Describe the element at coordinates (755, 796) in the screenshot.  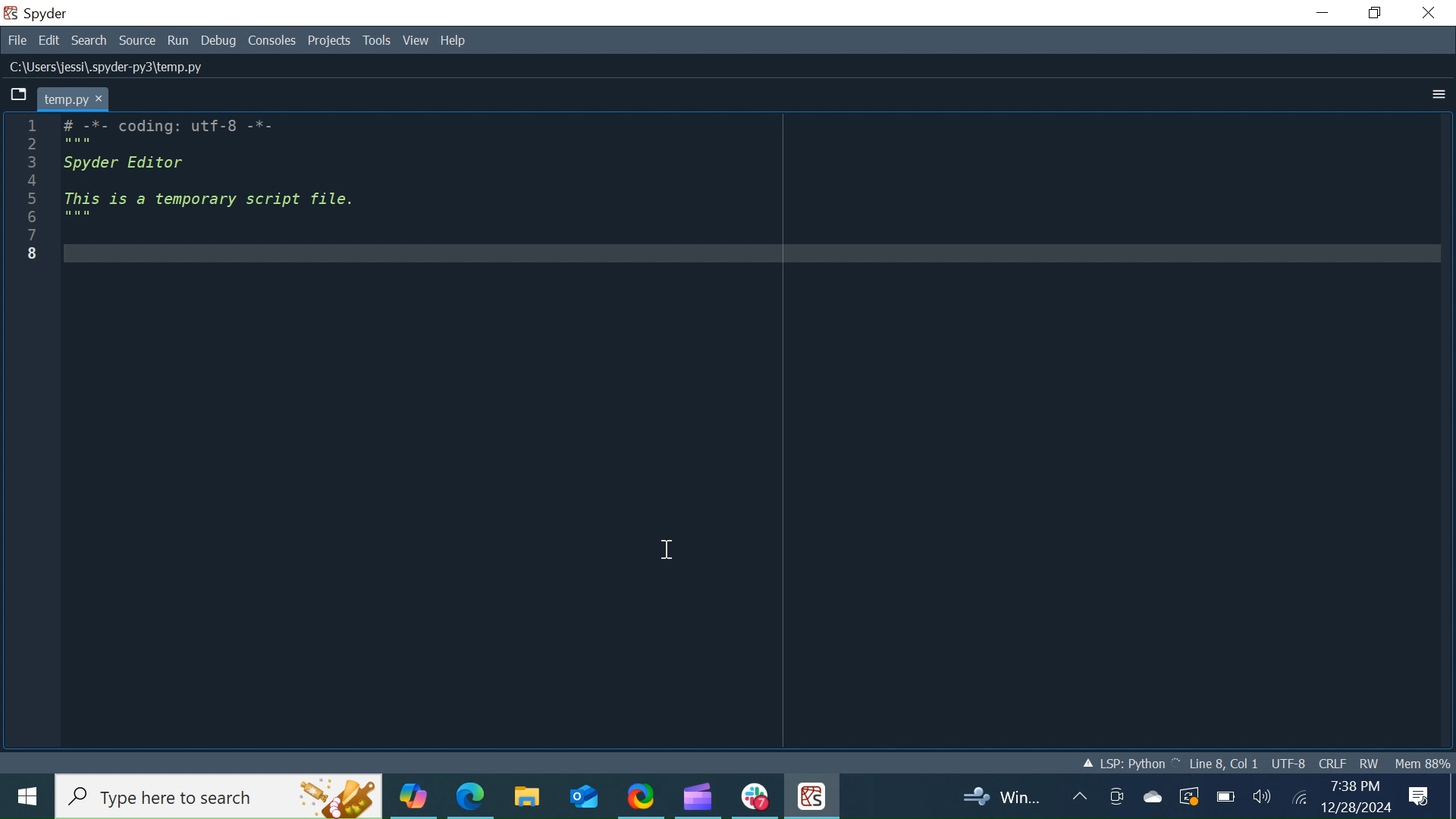
I see `Slack` at that location.